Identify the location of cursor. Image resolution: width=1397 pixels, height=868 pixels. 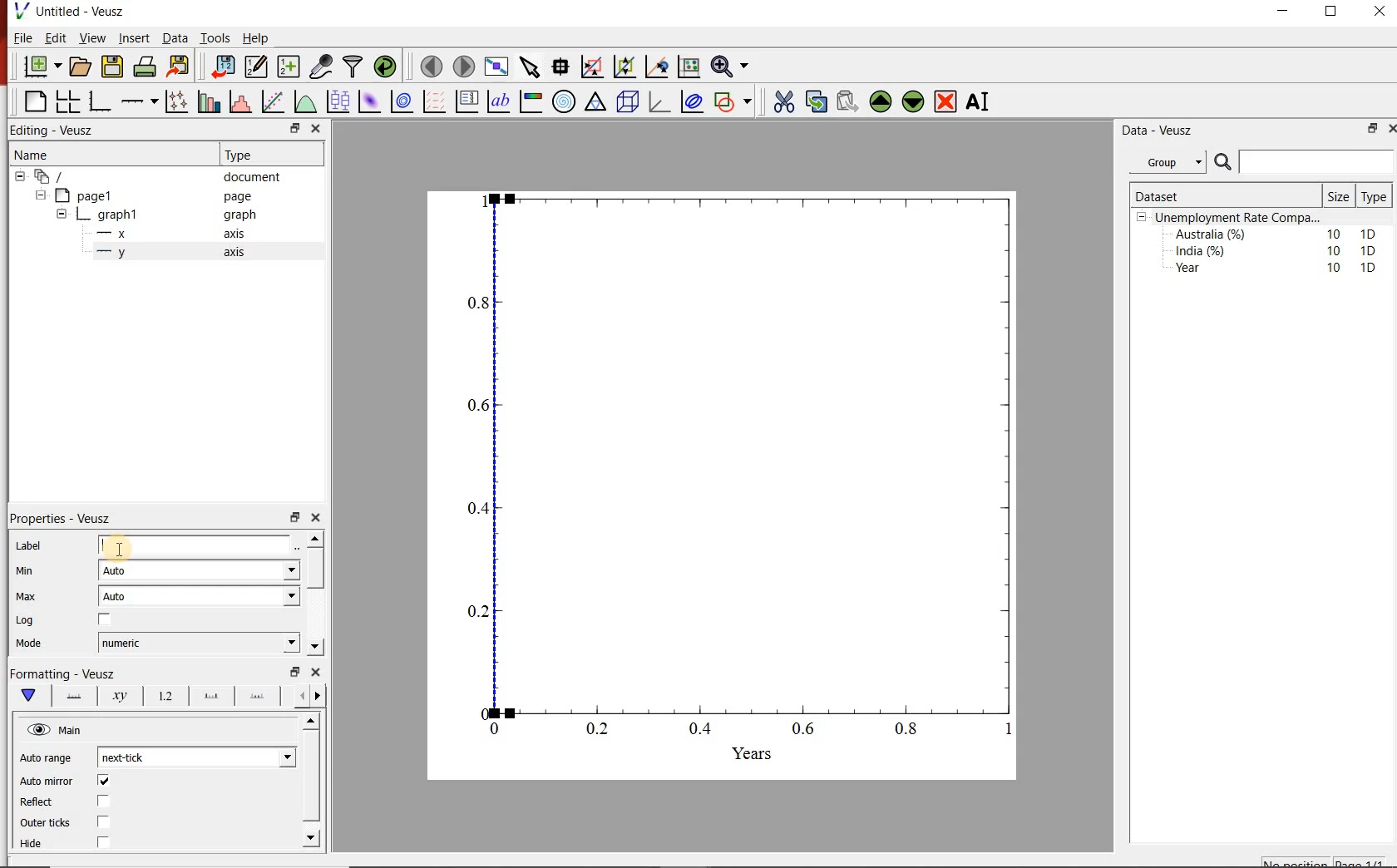
(120, 548).